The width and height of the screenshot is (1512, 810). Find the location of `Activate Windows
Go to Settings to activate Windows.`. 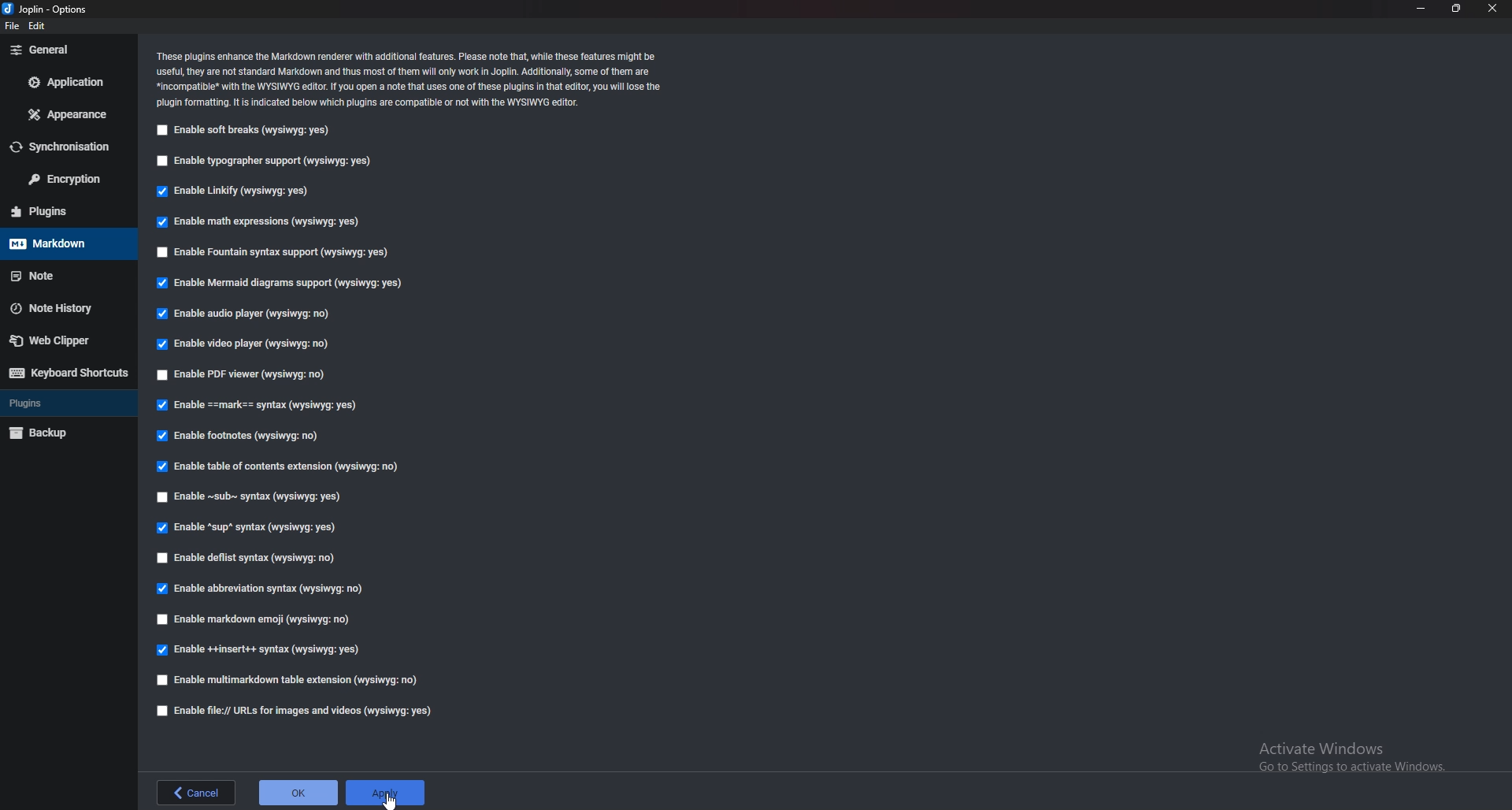

Activate Windows
Go to Settings to activate Windows. is located at coordinates (1351, 758).